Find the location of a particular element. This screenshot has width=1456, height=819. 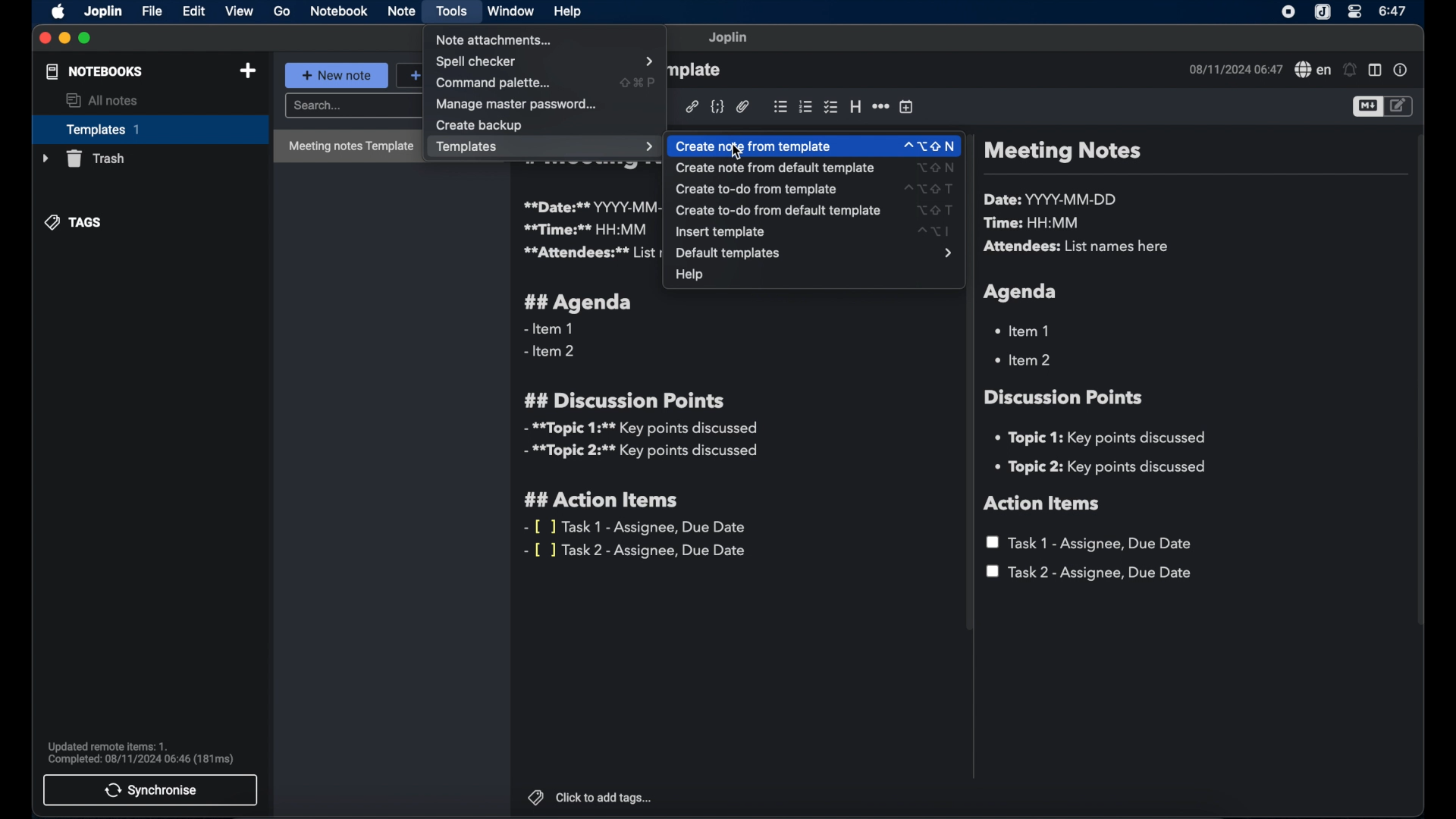

Joplin is located at coordinates (102, 11).